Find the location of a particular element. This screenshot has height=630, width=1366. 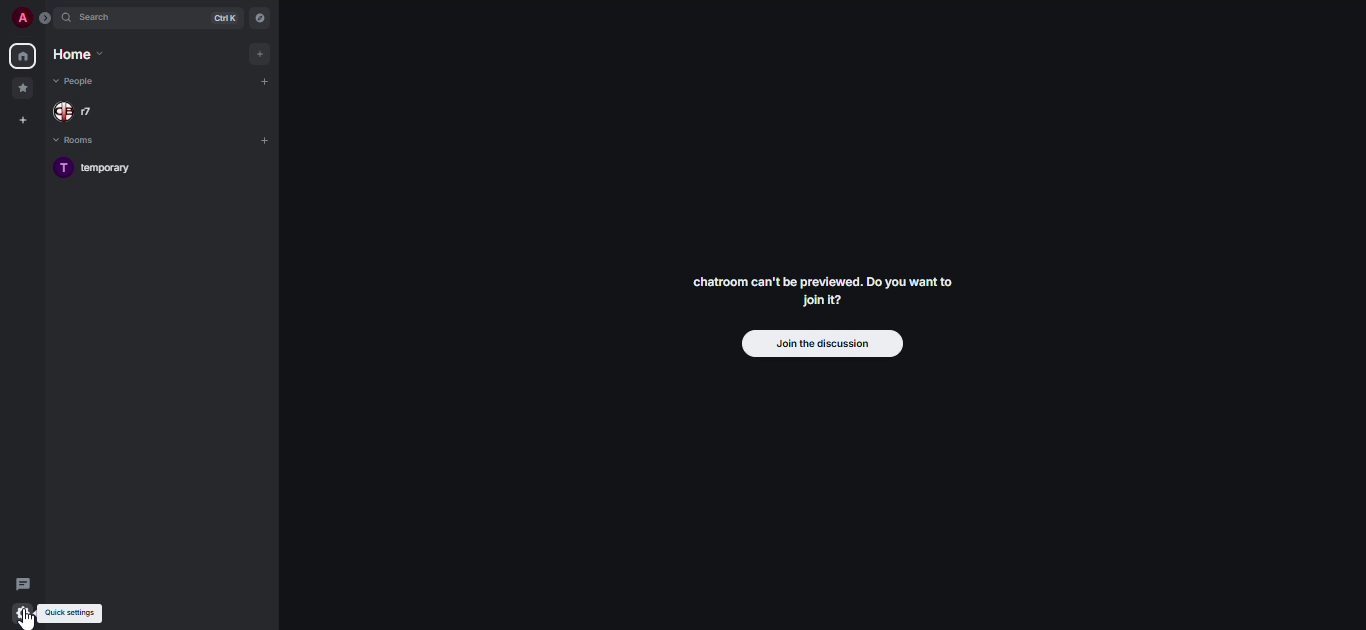

people is located at coordinates (82, 111).